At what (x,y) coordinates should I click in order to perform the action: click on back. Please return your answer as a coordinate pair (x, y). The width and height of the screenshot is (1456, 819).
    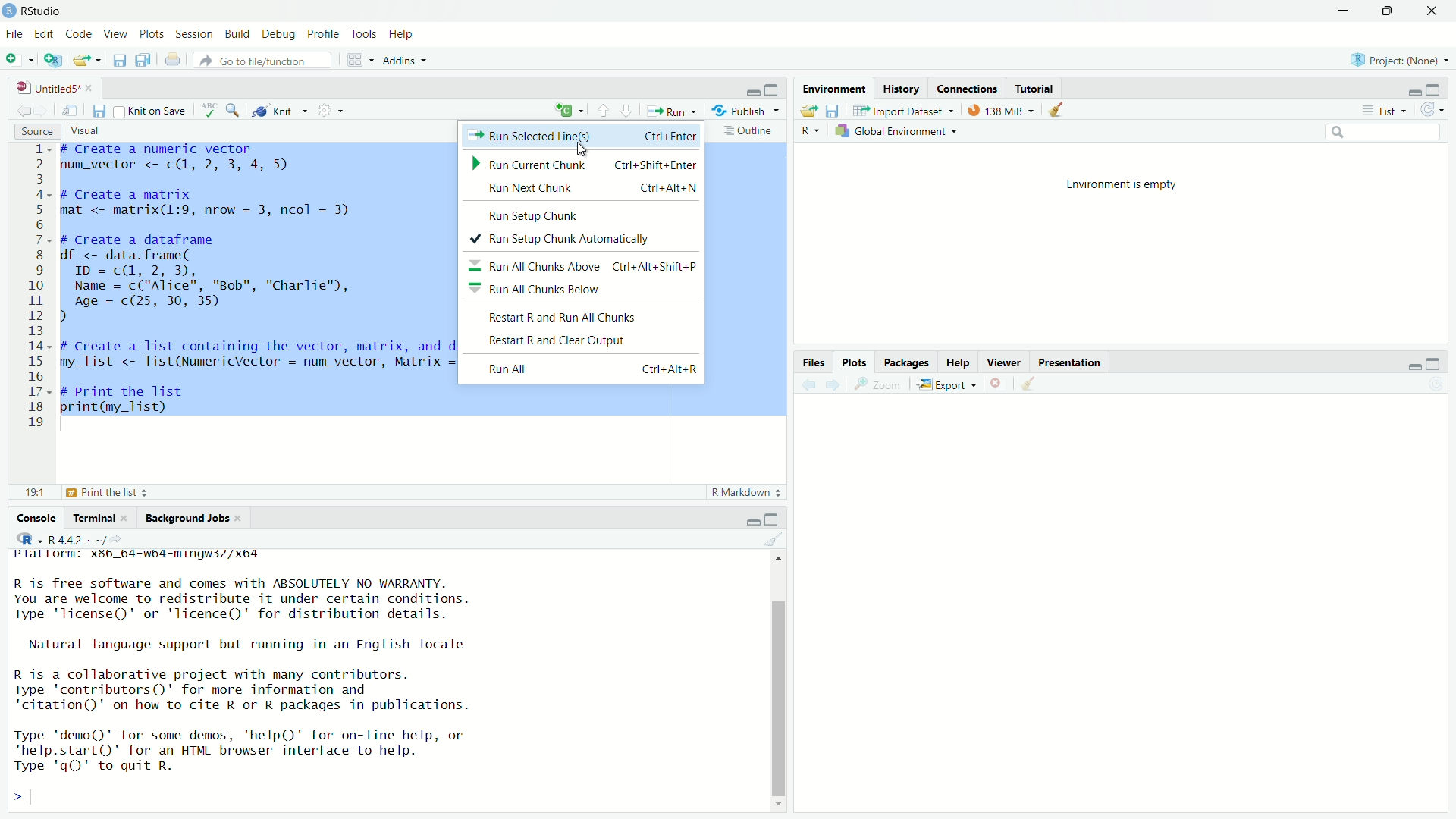
    Looking at the image, I should click on (810, 388).